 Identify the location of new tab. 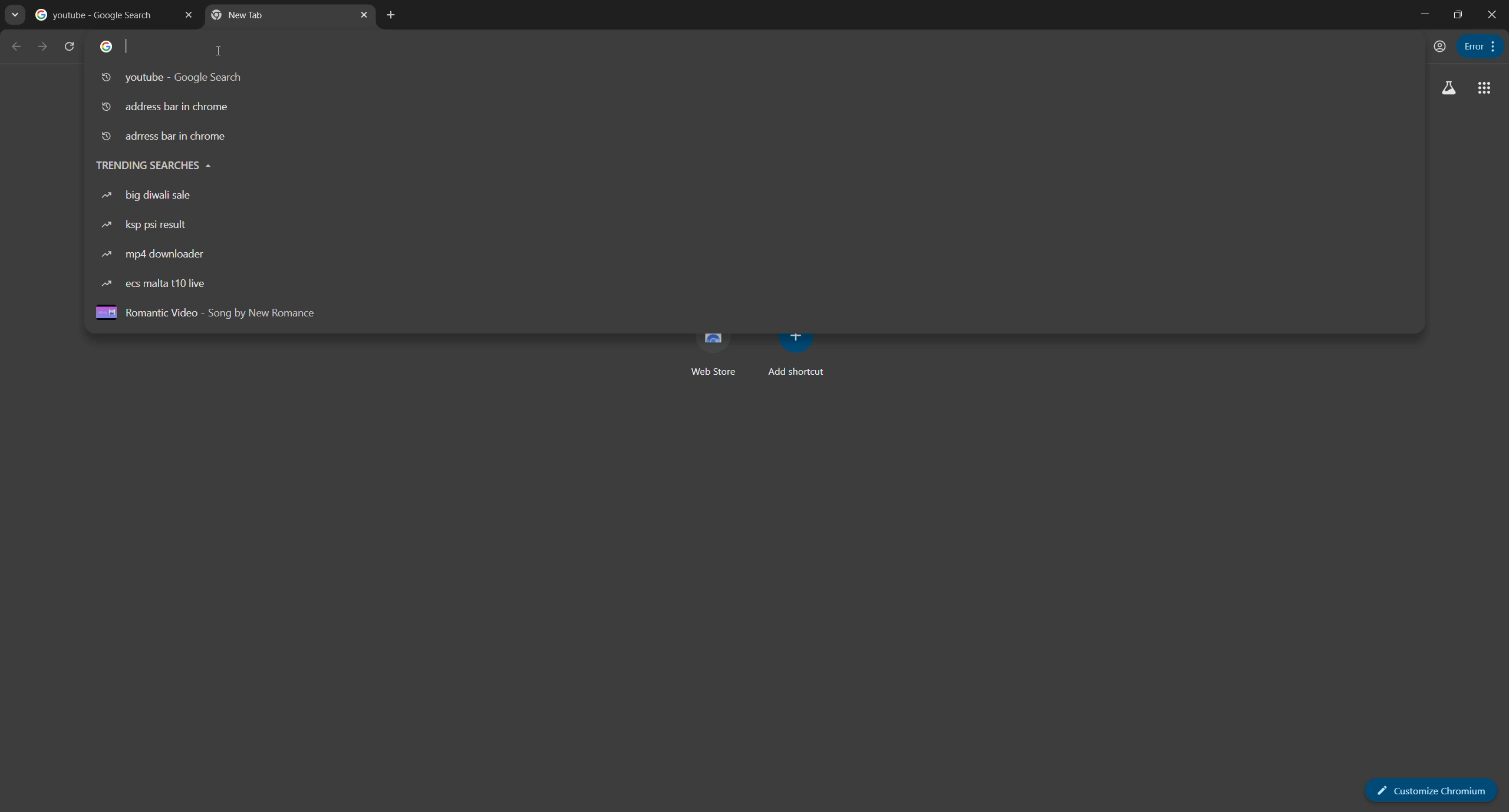
(392, 15).